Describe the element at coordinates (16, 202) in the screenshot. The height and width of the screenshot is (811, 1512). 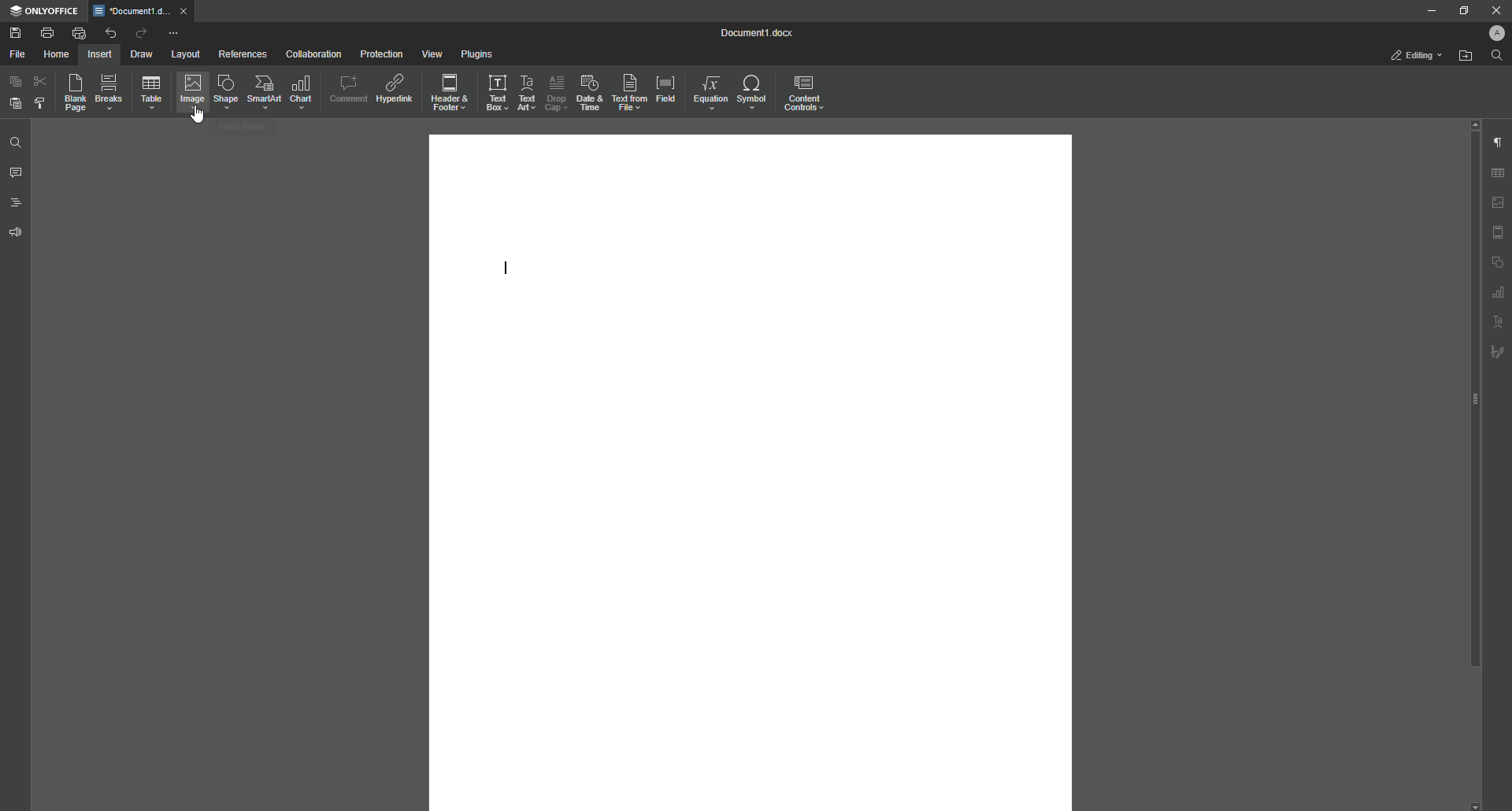
I see `Headings` at that location.